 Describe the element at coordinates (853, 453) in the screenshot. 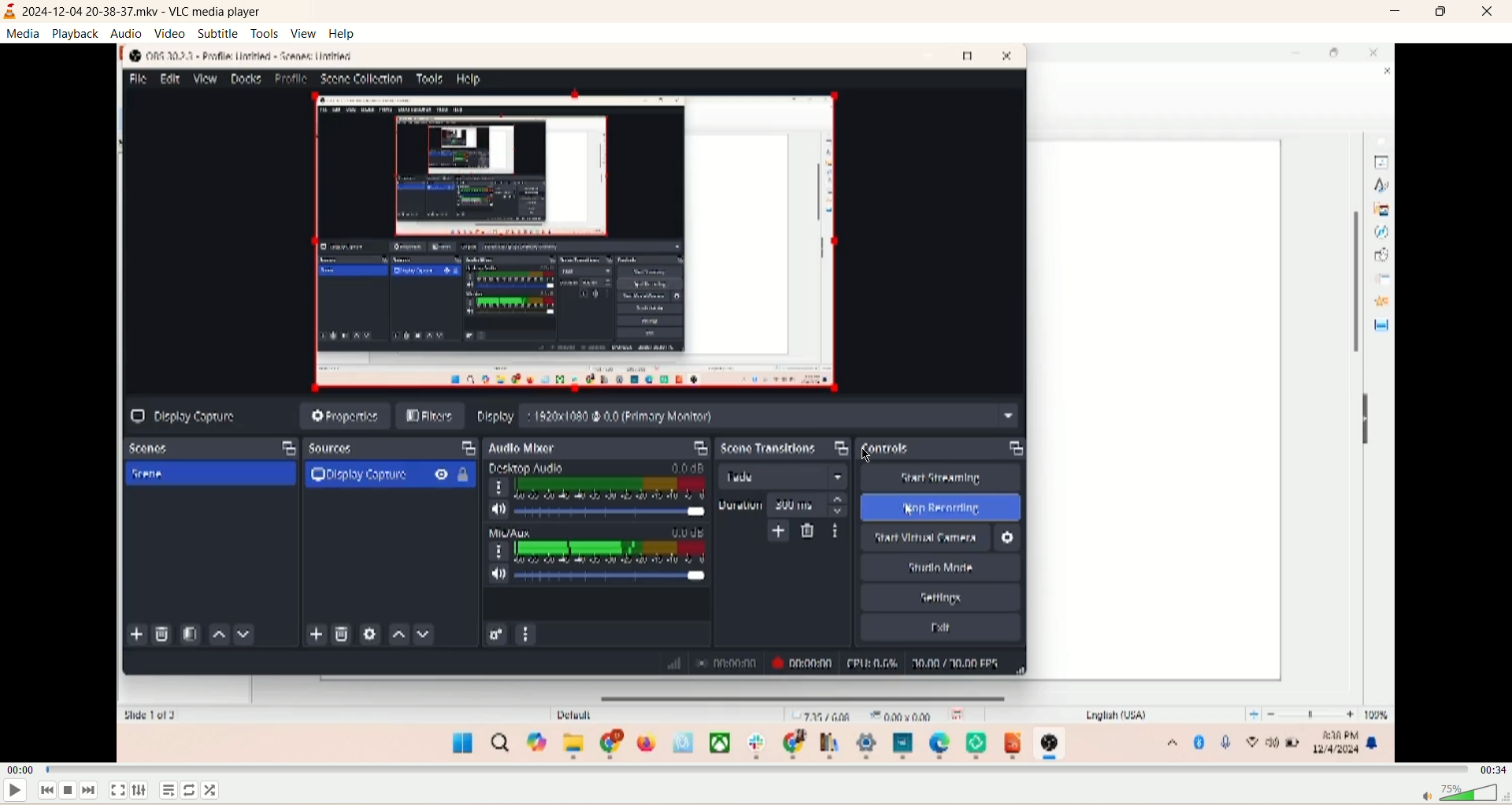

I see `cursor` at that location.